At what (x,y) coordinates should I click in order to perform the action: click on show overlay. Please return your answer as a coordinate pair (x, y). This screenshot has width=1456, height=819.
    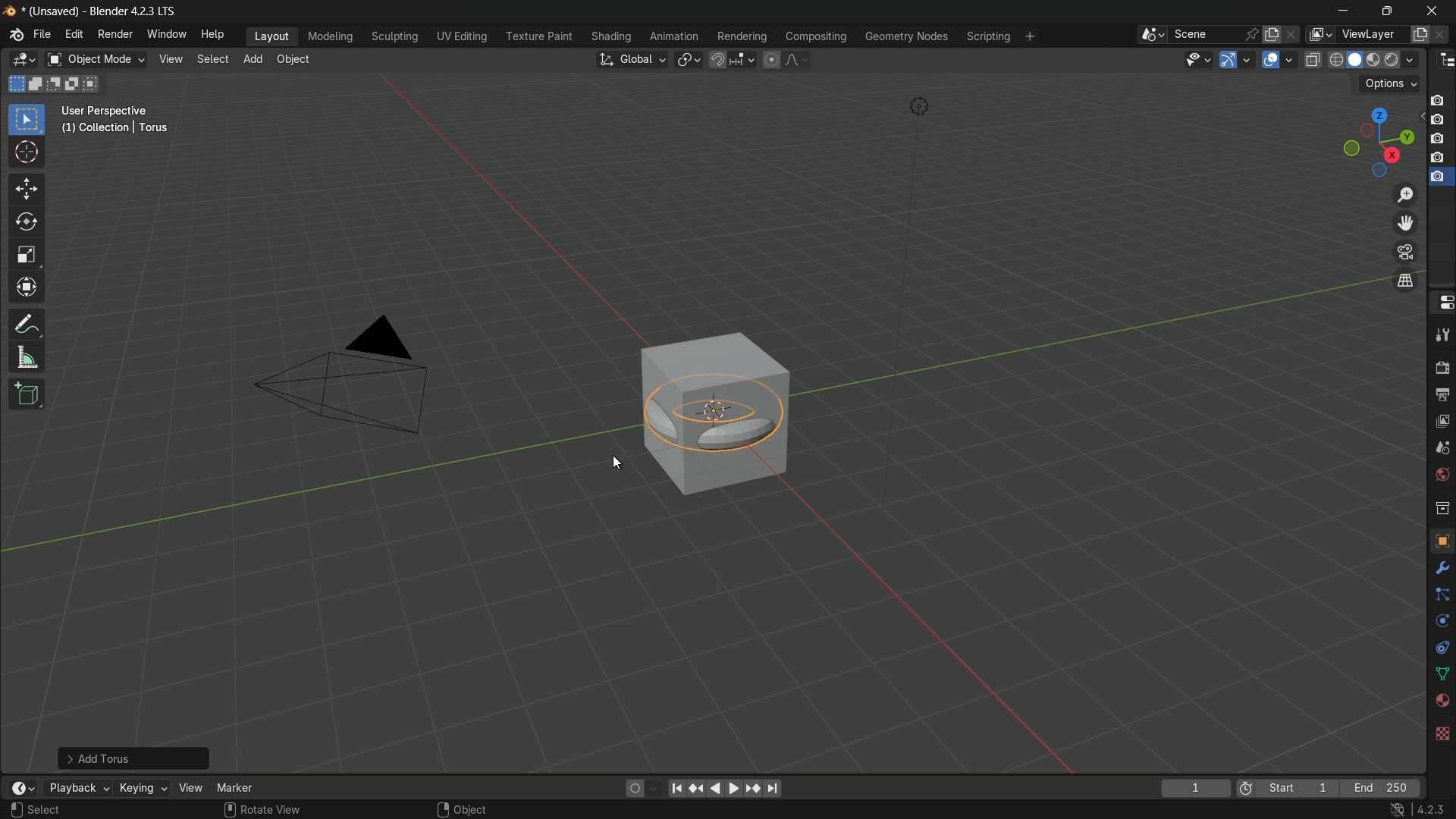
    Looking at the image, I should click on (1270, 60).